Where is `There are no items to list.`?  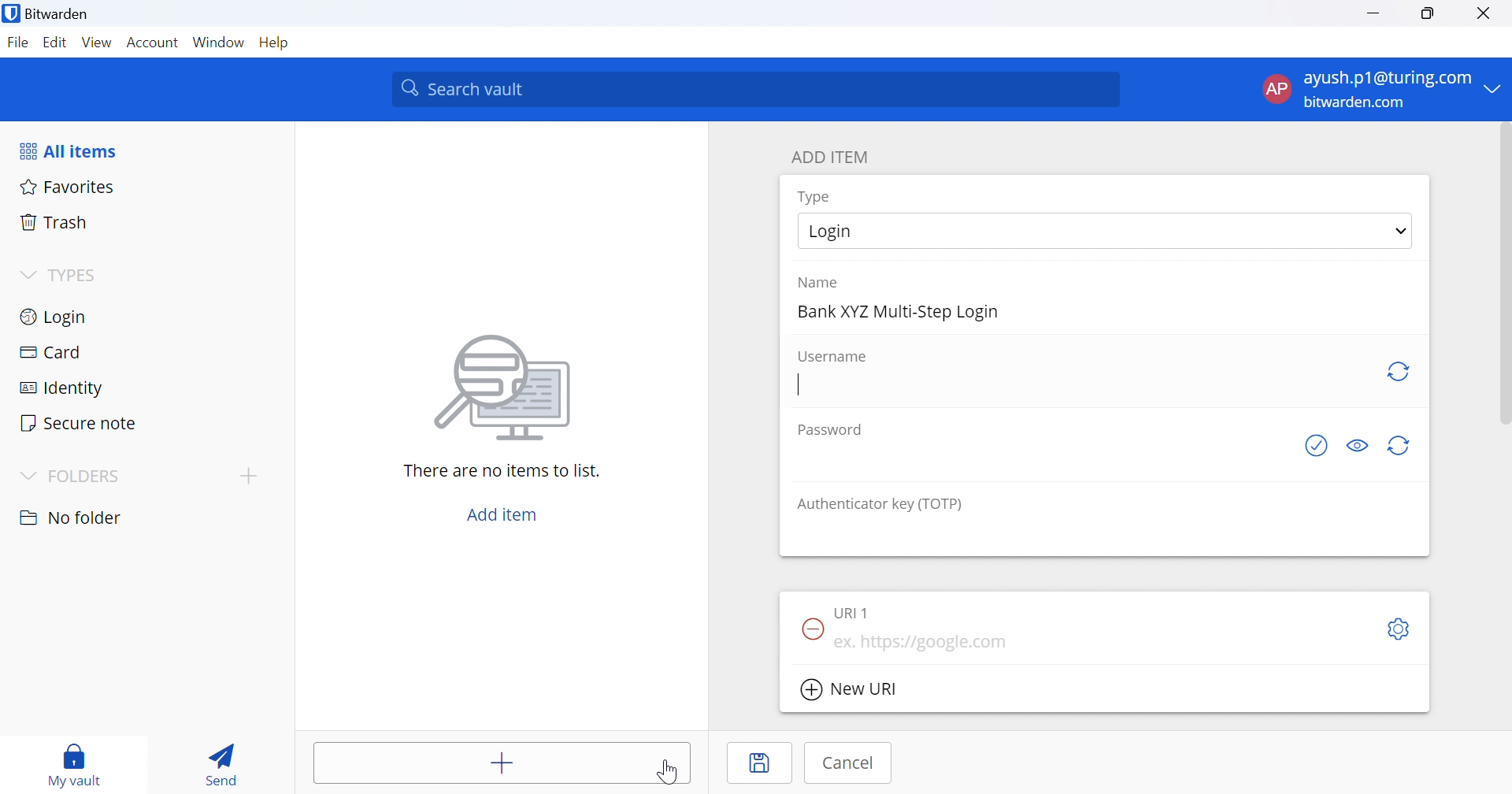
There are no items to list. is located at coordinates (502, 471).